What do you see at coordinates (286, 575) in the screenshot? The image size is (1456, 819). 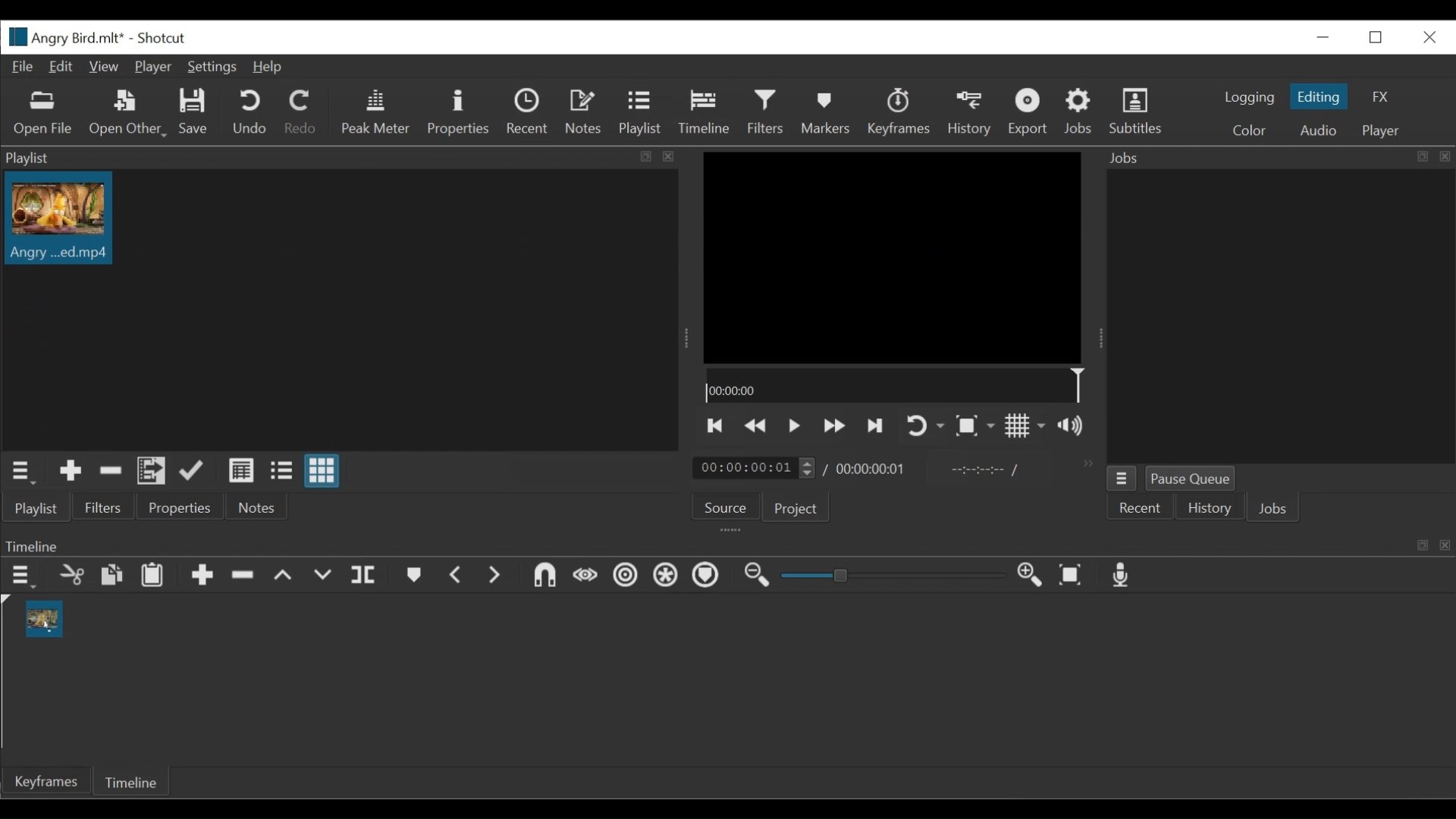 I see `Lift` at bounding box center [286, 575].